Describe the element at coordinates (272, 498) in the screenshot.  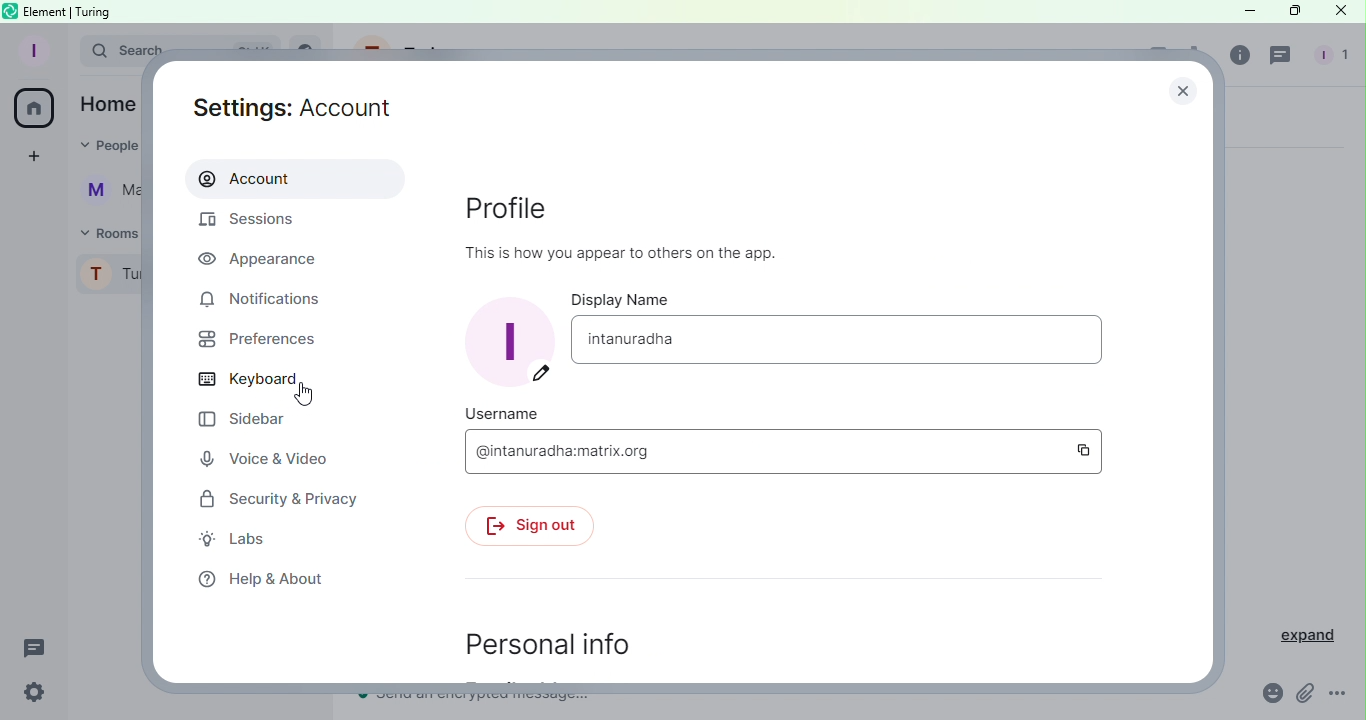
I see `Security and privacy` at that location.